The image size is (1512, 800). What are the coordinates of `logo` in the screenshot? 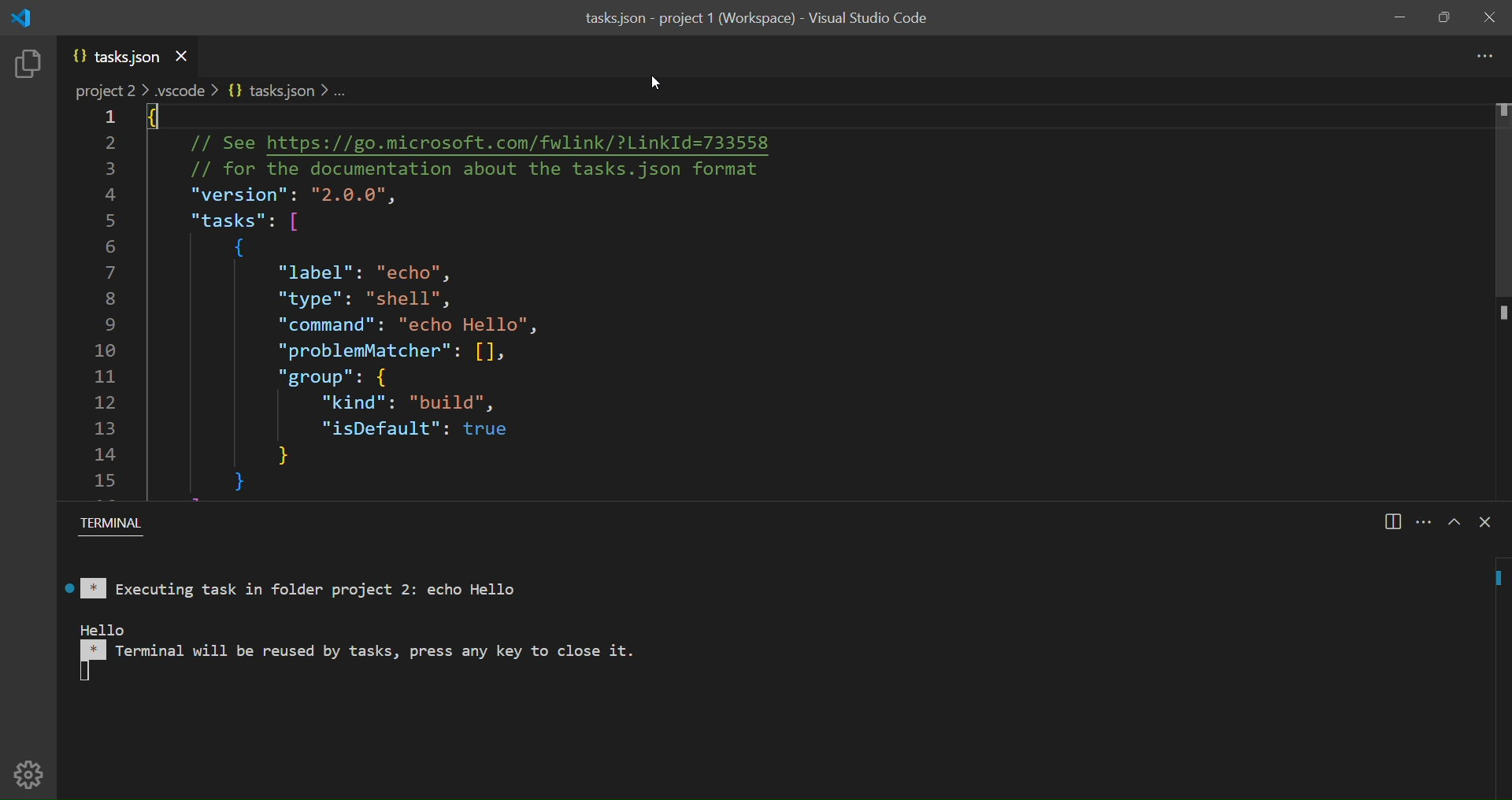 It's located at (24, 17).